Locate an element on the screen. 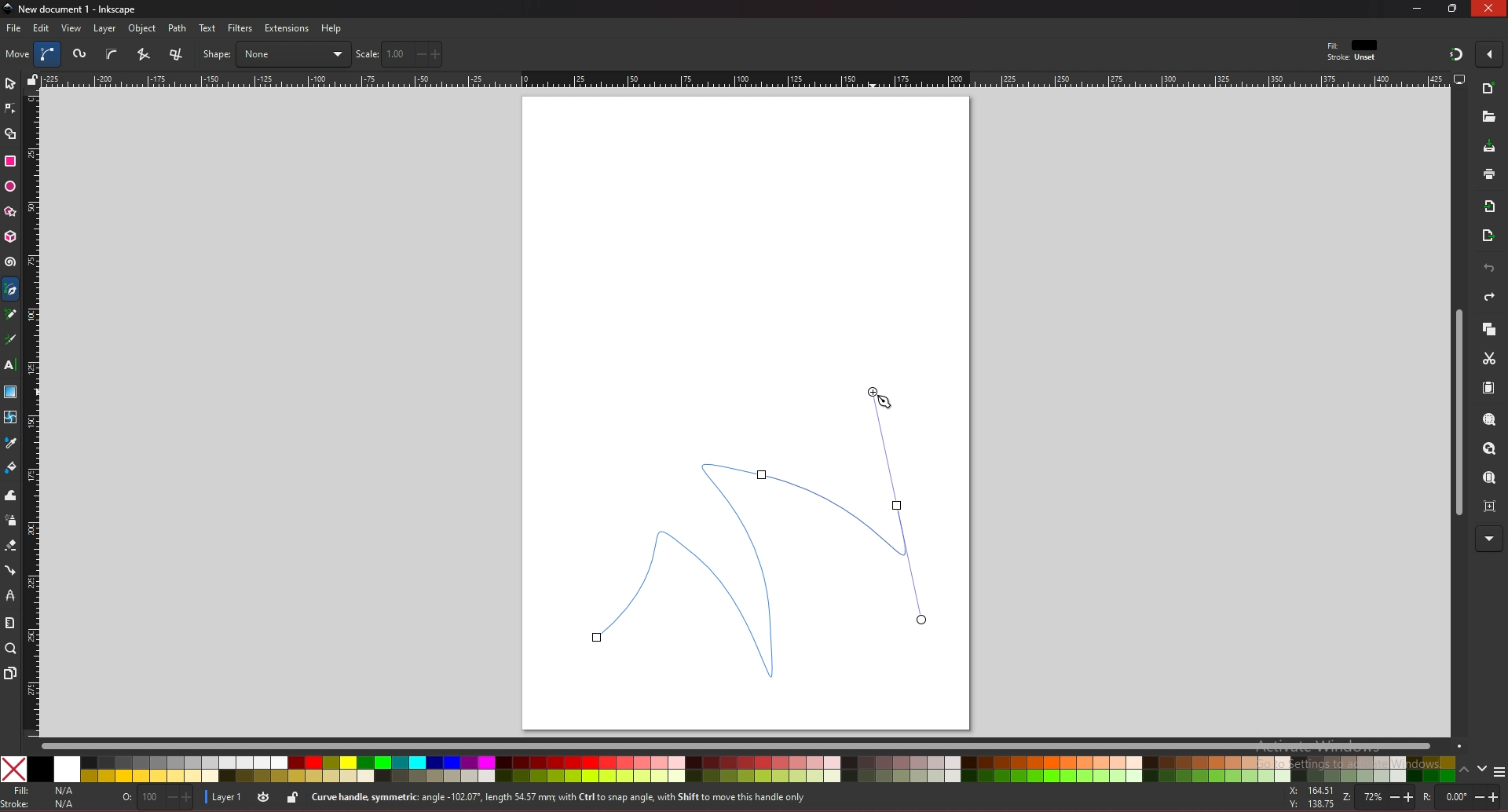 The width and height of the screenshot is (1508, 812). more is located at coordinates (1489, 540).